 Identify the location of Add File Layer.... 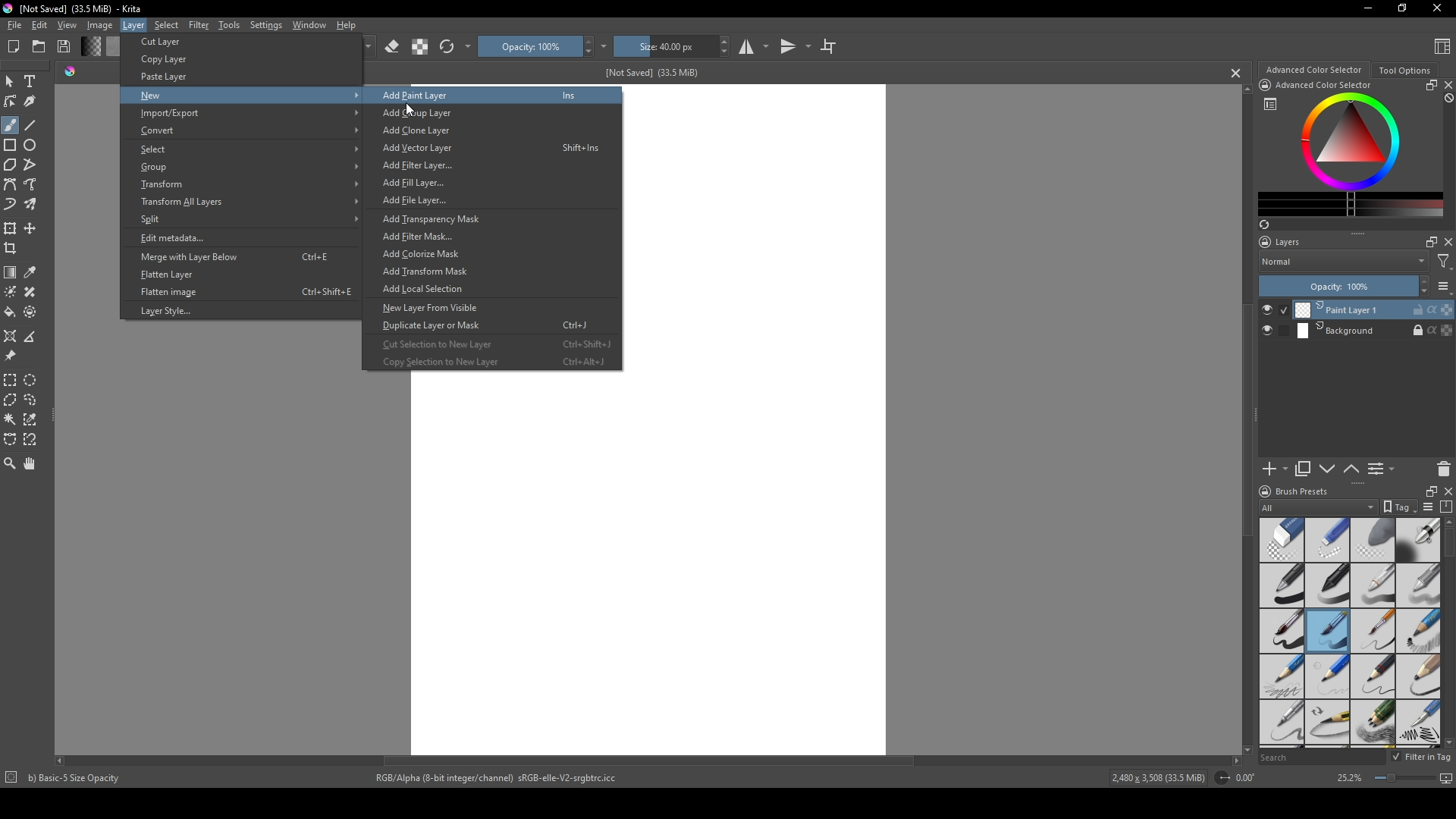
(419, 200).